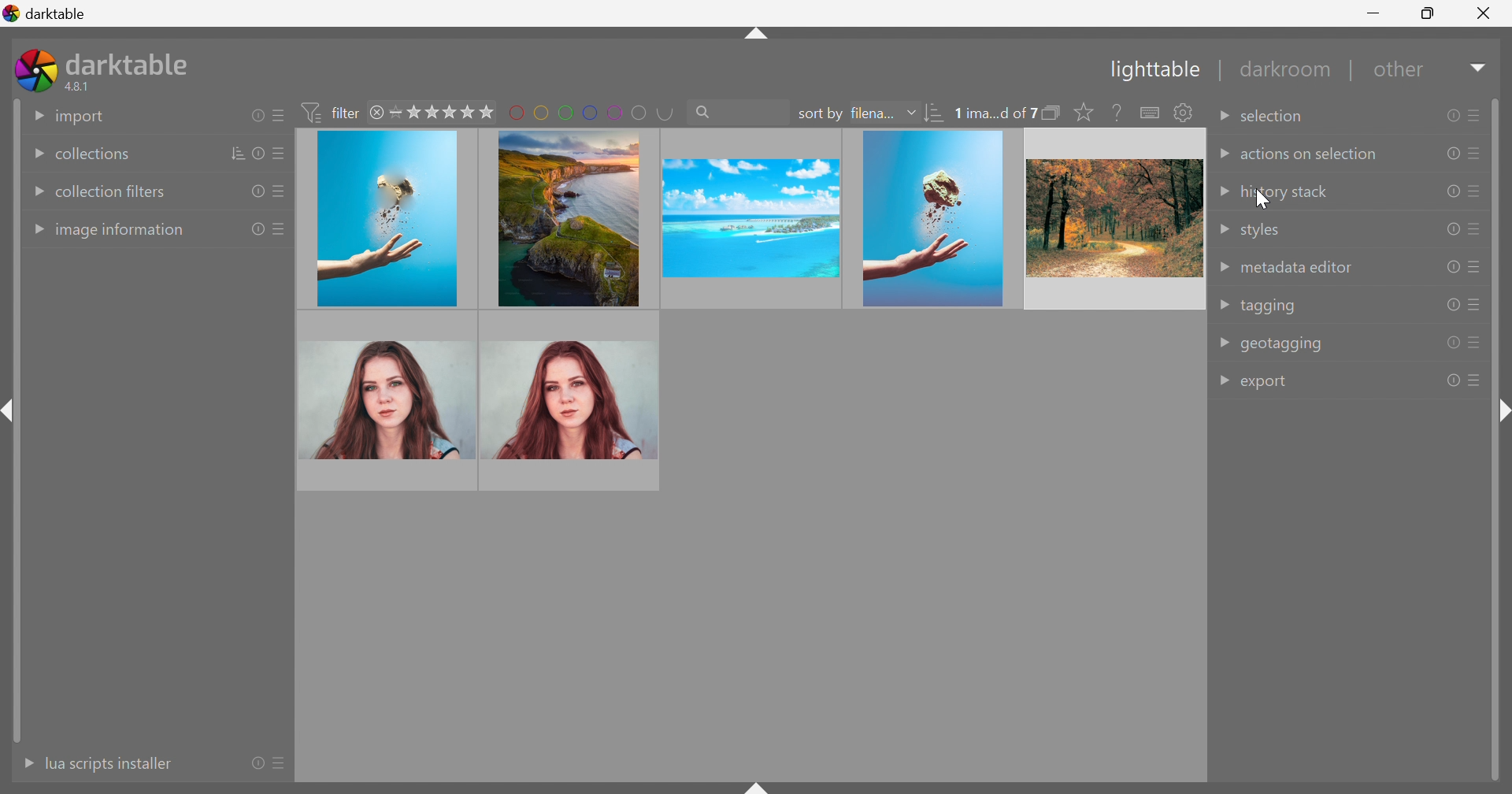 Image resolution: width=1512 pixels, height=794 pixels. Describe the element at coordinates (278, 116) in the screenshot. I see `presets` at that location.